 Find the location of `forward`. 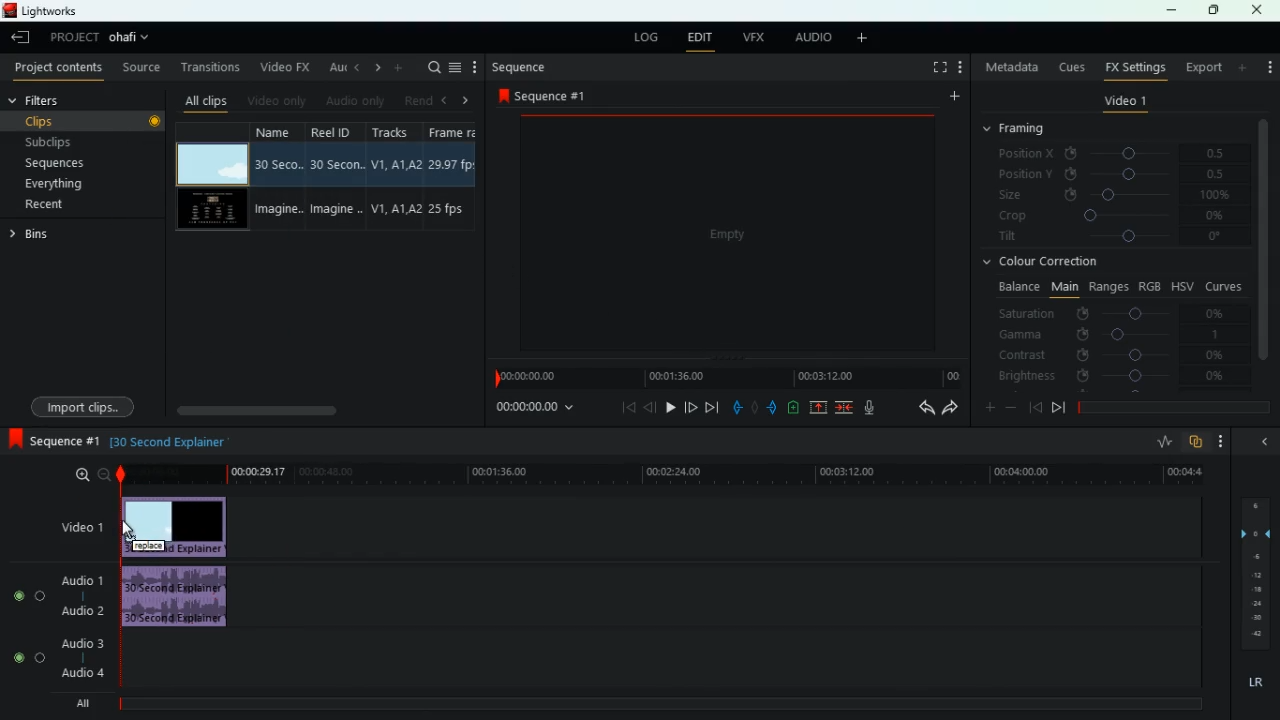

forward is located at coordinates (950, 409).